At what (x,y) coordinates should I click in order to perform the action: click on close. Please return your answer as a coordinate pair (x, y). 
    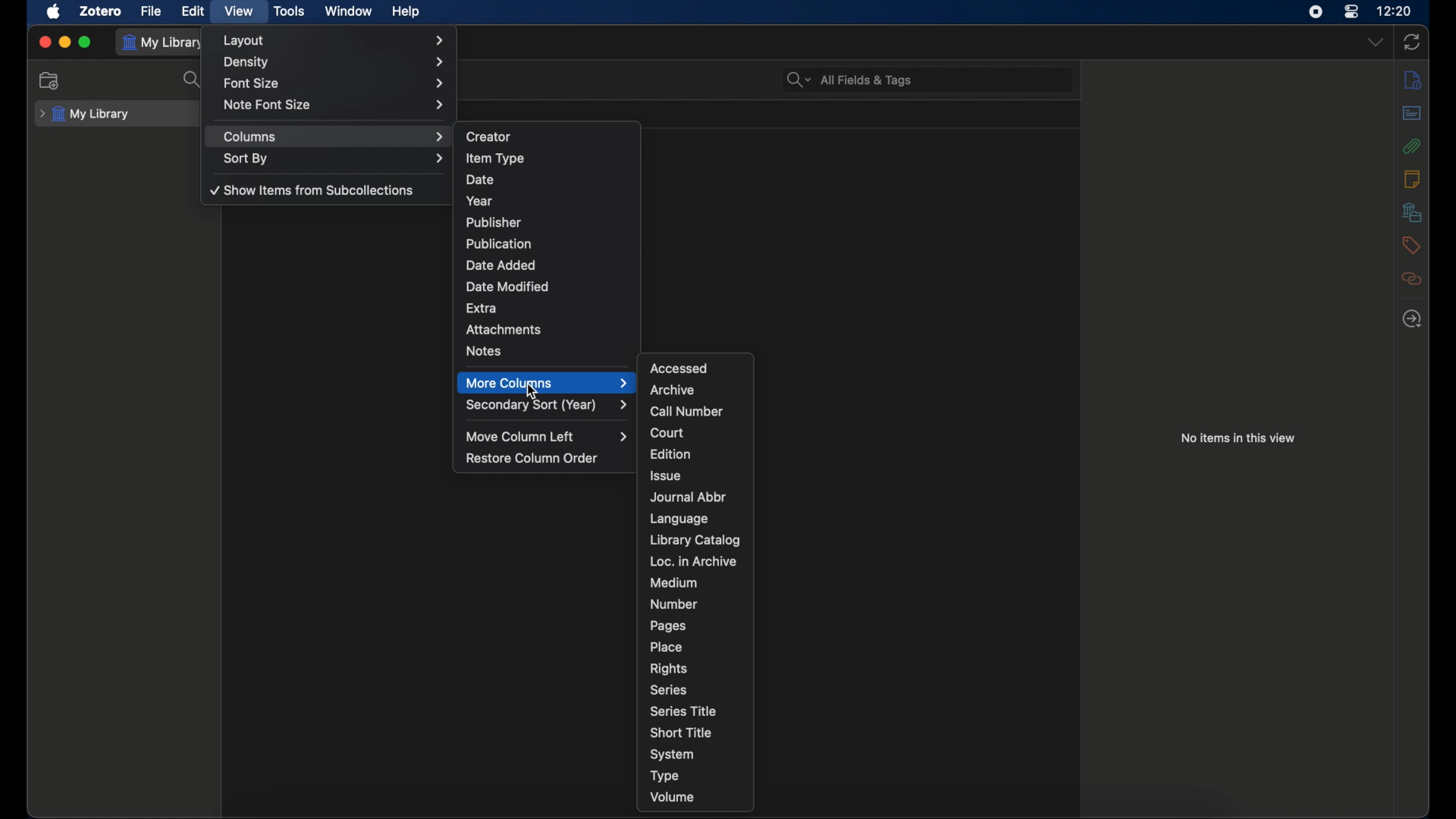
    Looking at the image, I should click on (44, 42).